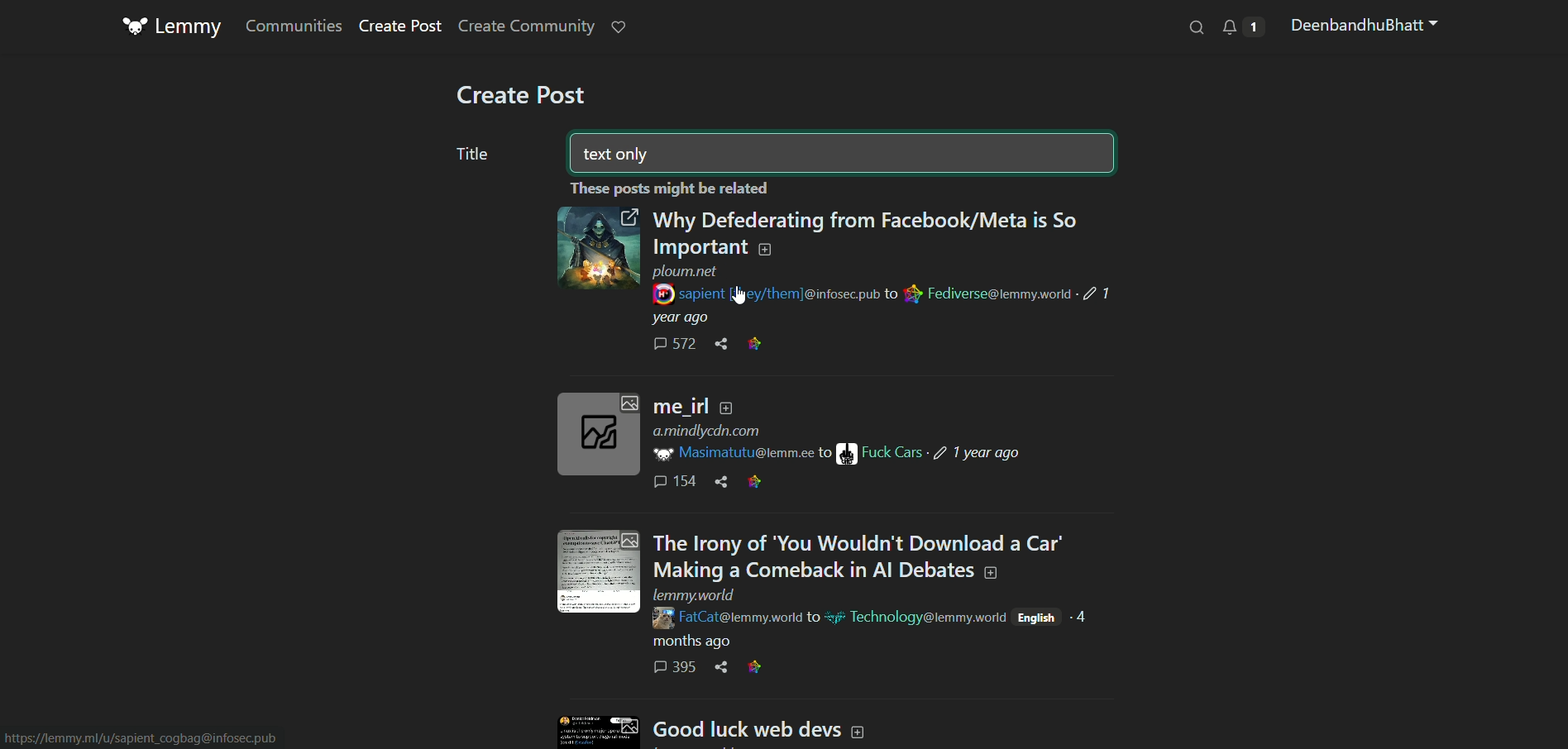 The height and width of the screenshot is (749, 1568). What do you see at coordinates (977, 453) in the screenshot?
I see `Indicates post was edited 1 year ago` at bounding box center [977, 453].